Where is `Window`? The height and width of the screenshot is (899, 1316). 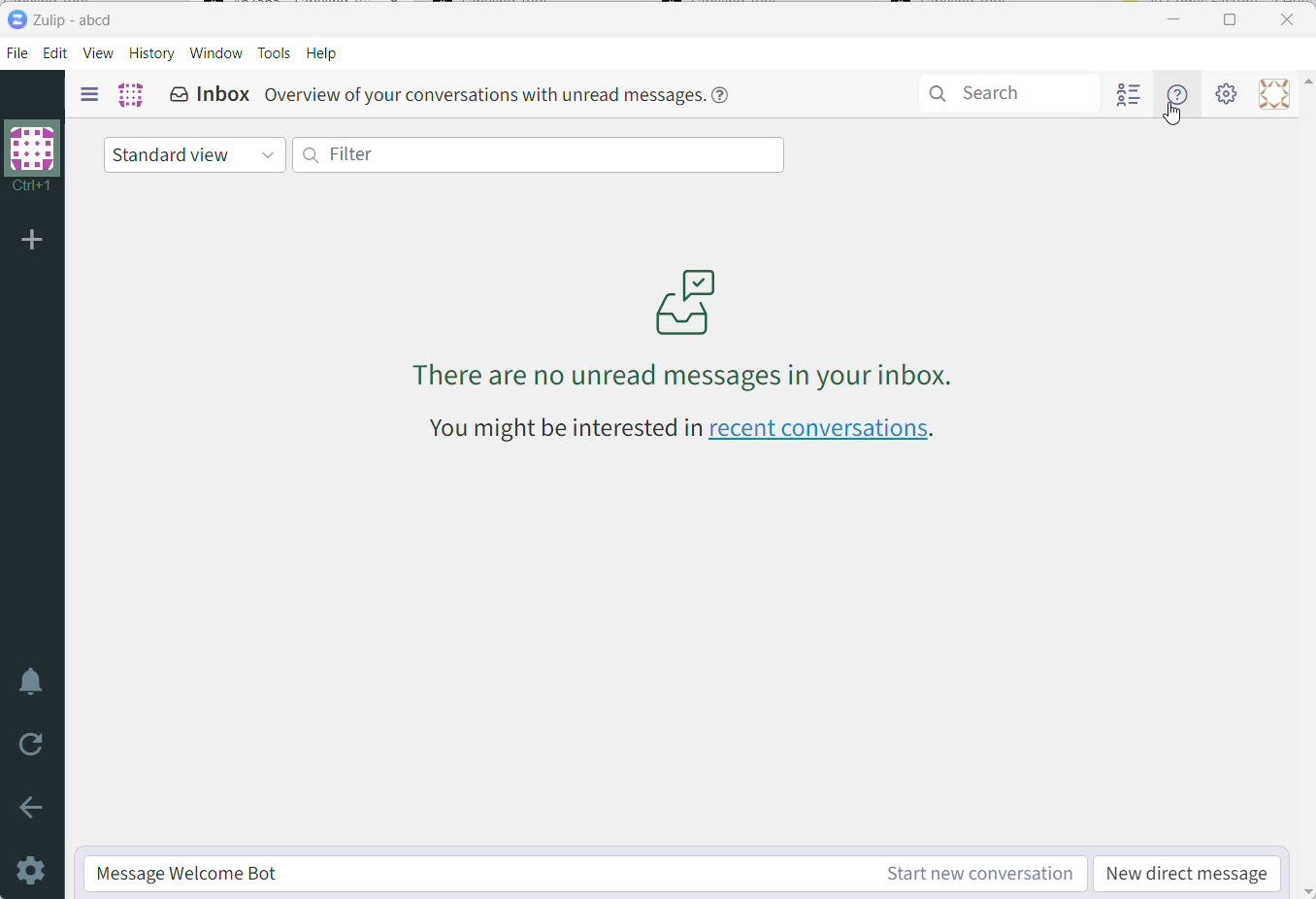 Window is located at coordinates (215, 53).